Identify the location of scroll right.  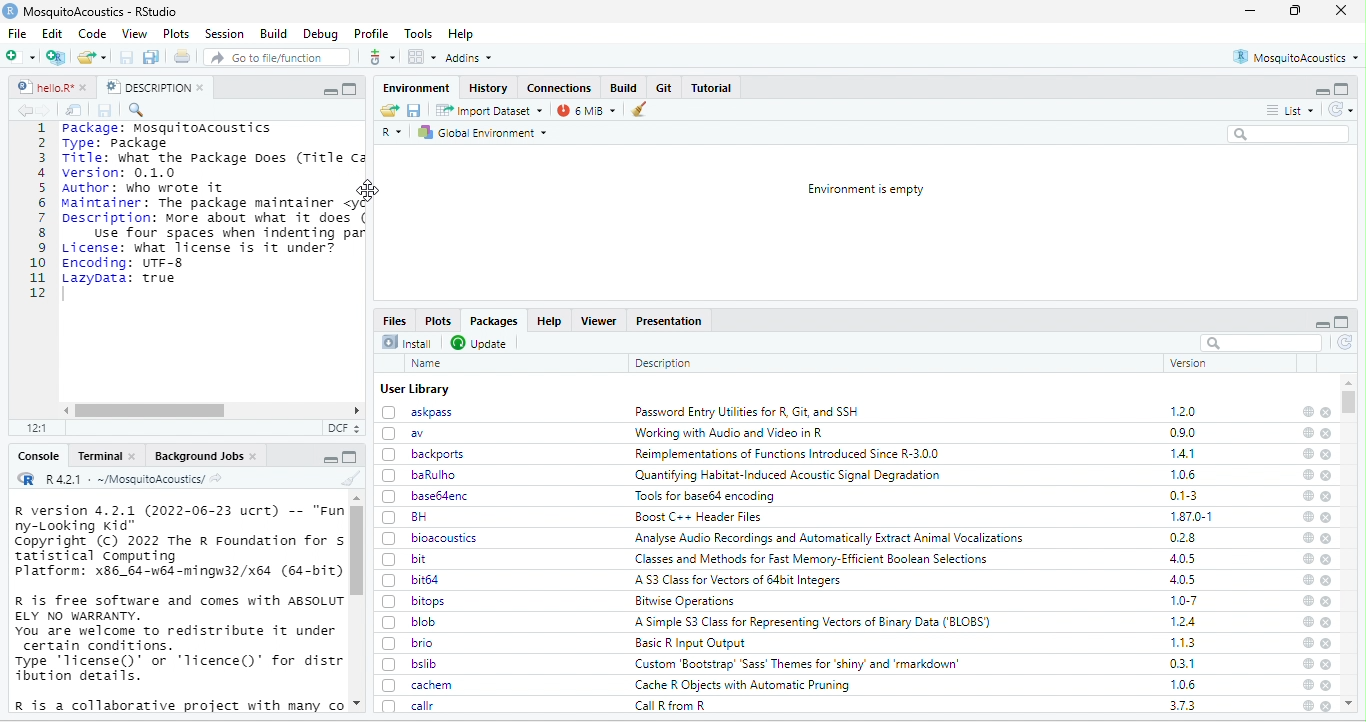
(355, 409).